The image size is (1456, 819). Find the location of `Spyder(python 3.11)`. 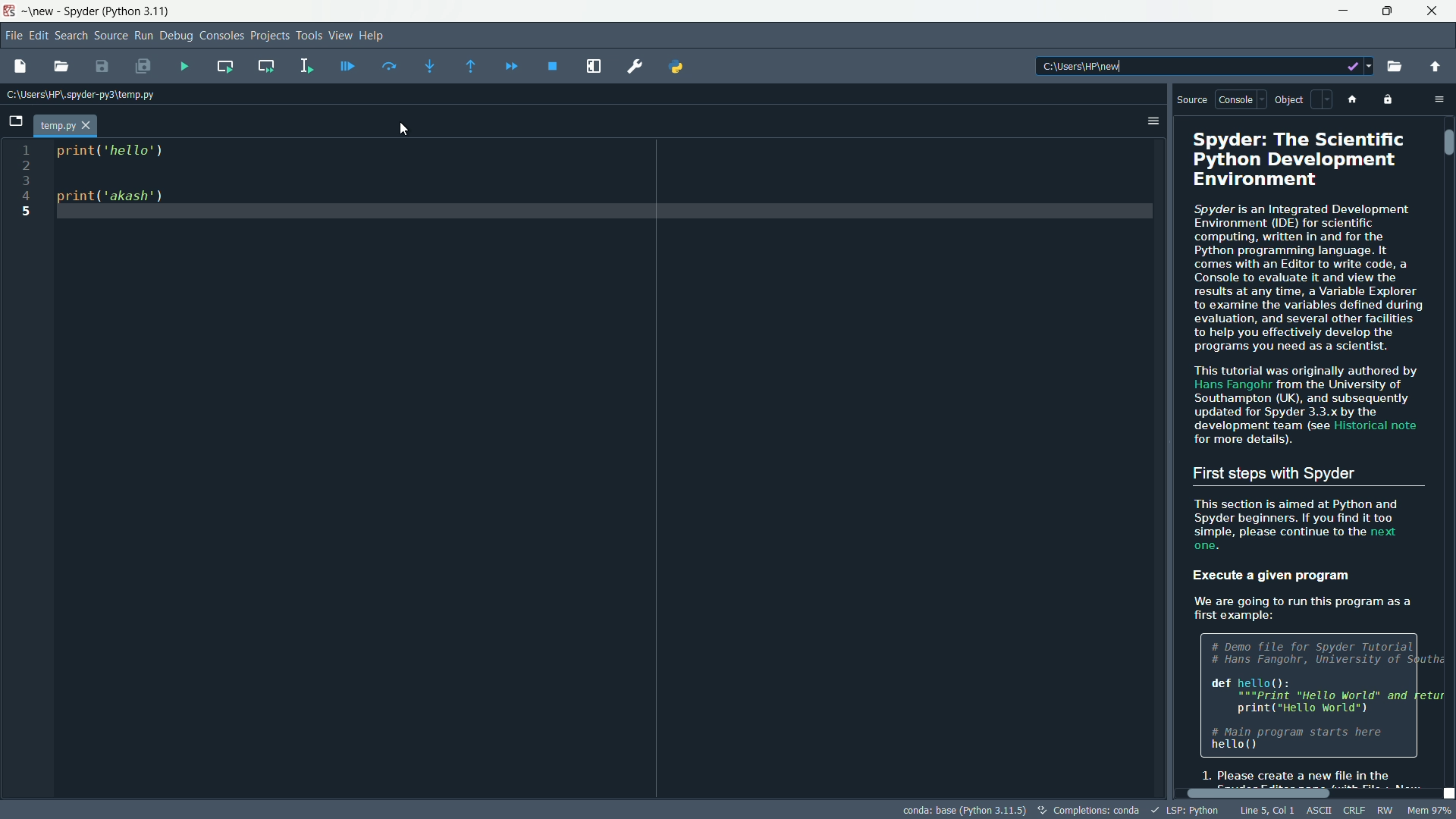

Spyder(python 3.11) is located at coordinates (121, 11).